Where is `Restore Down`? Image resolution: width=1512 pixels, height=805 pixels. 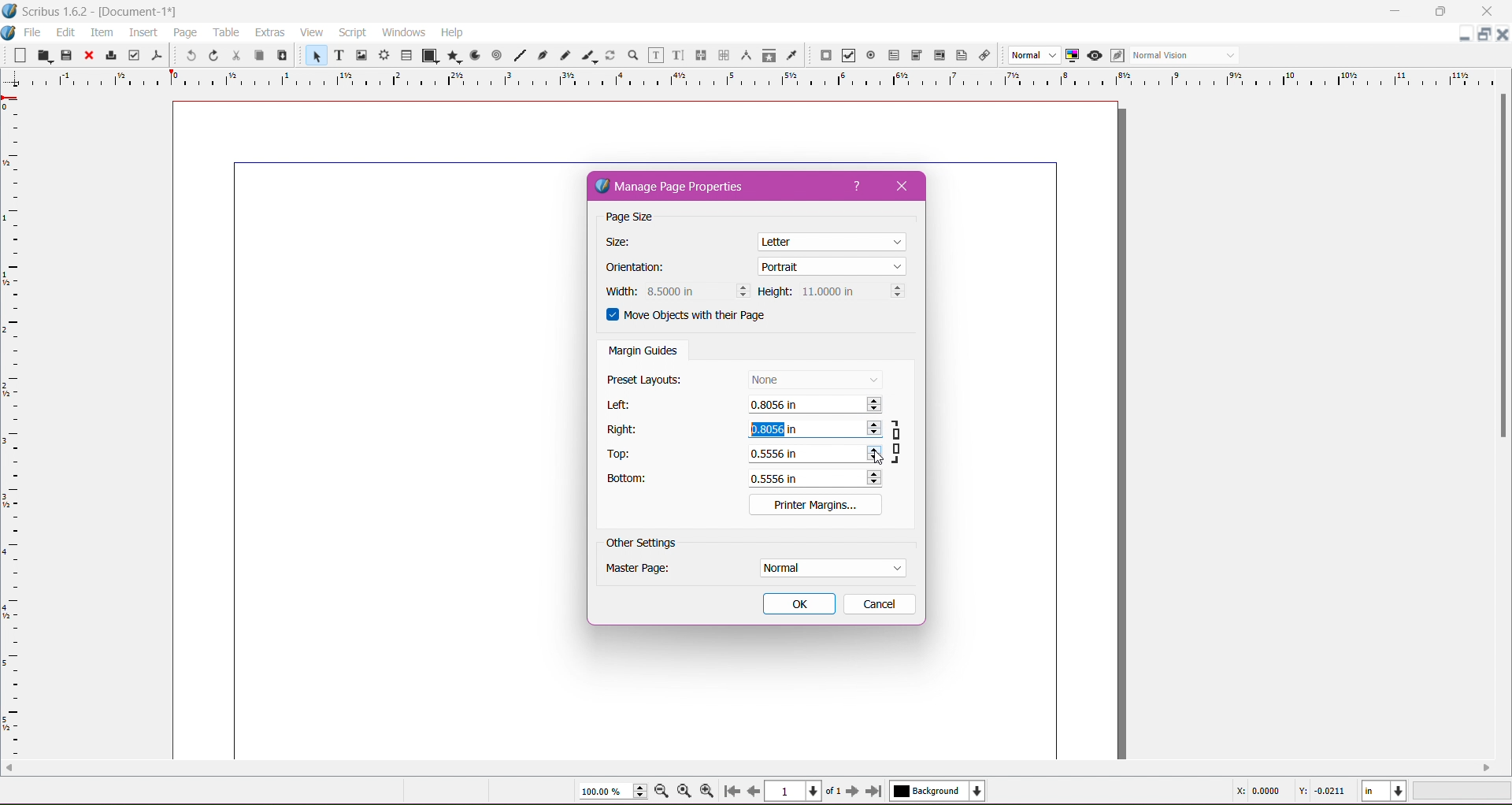
Restore Down is located at coordinates (1439, 12).